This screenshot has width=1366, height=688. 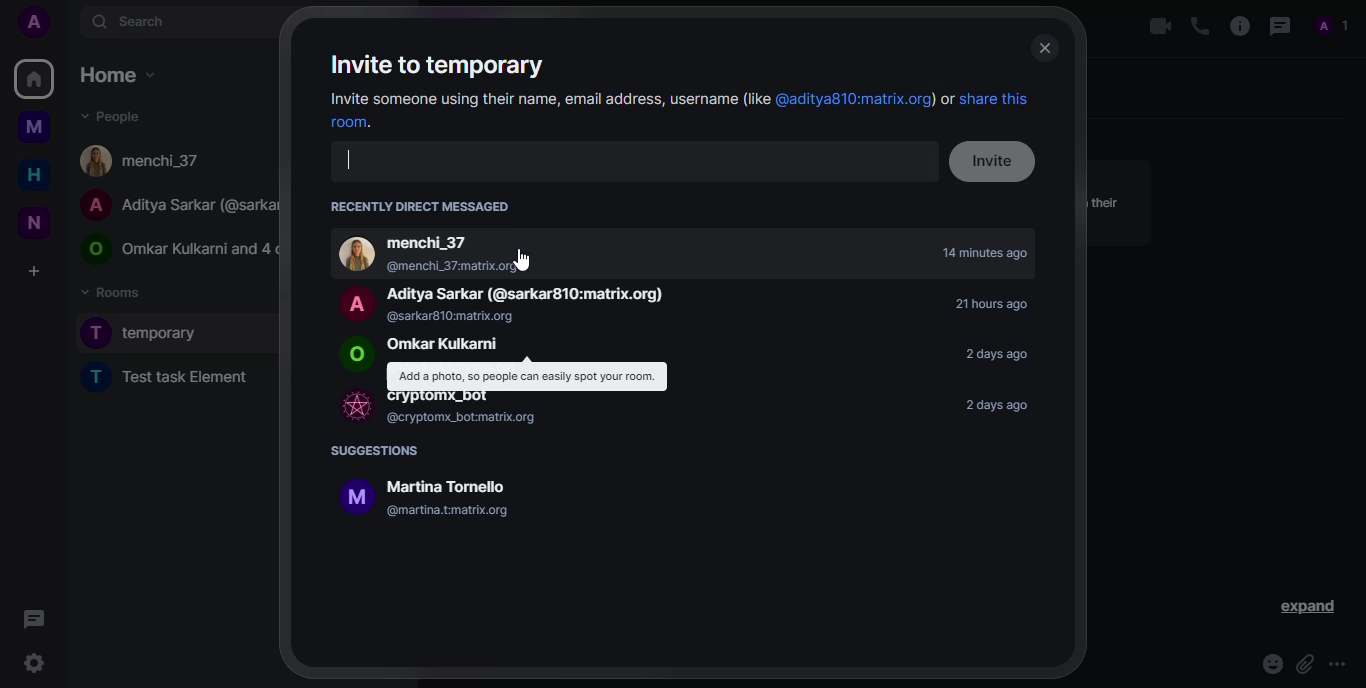 I want to click on peoPLe, so click(x=174, y=250).